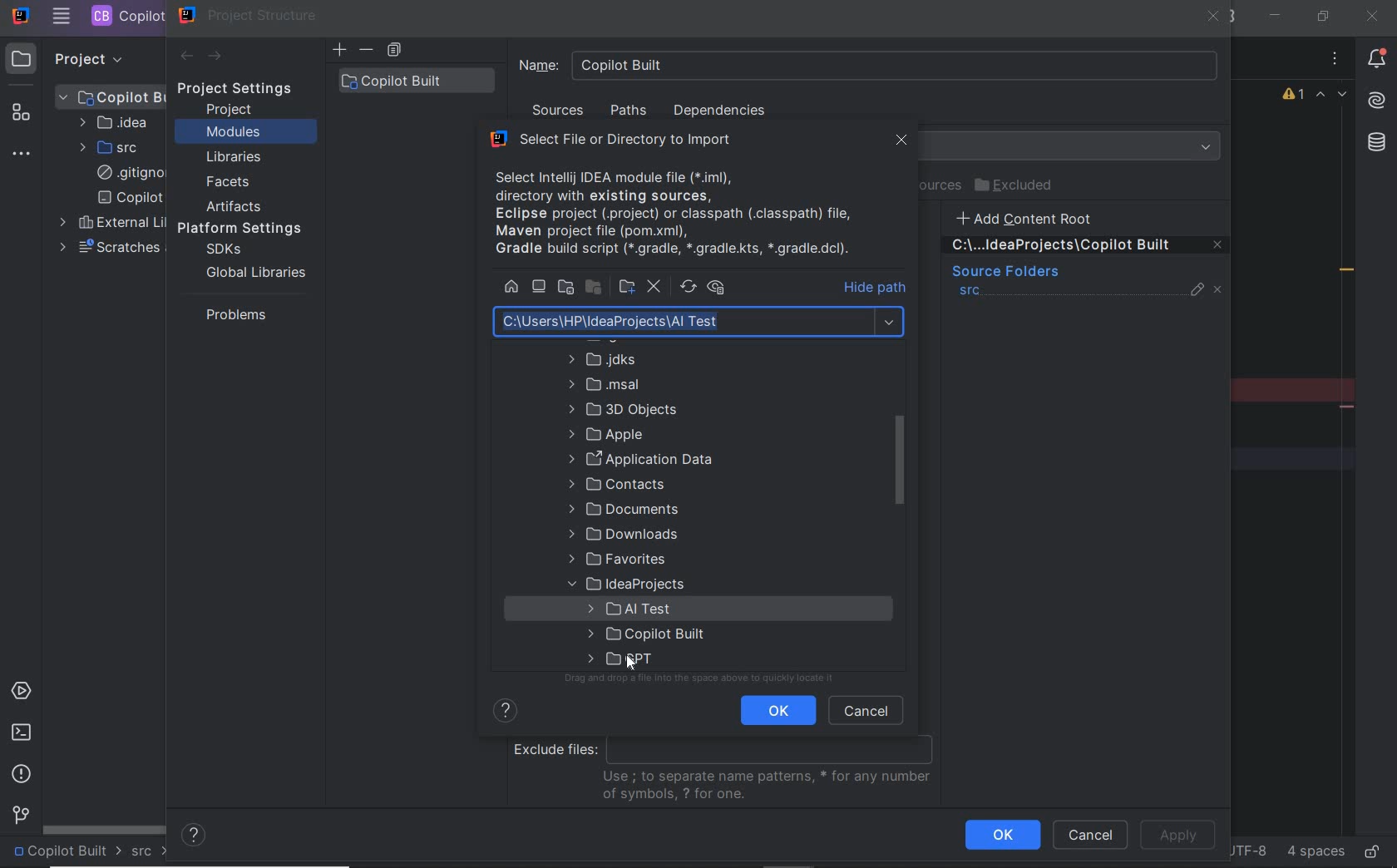 This screenshot has height=868, width=1397. What do you see at coordinates (112, 122) in the screenshot?
I see `IDEA` at bounding box center [112, 122].